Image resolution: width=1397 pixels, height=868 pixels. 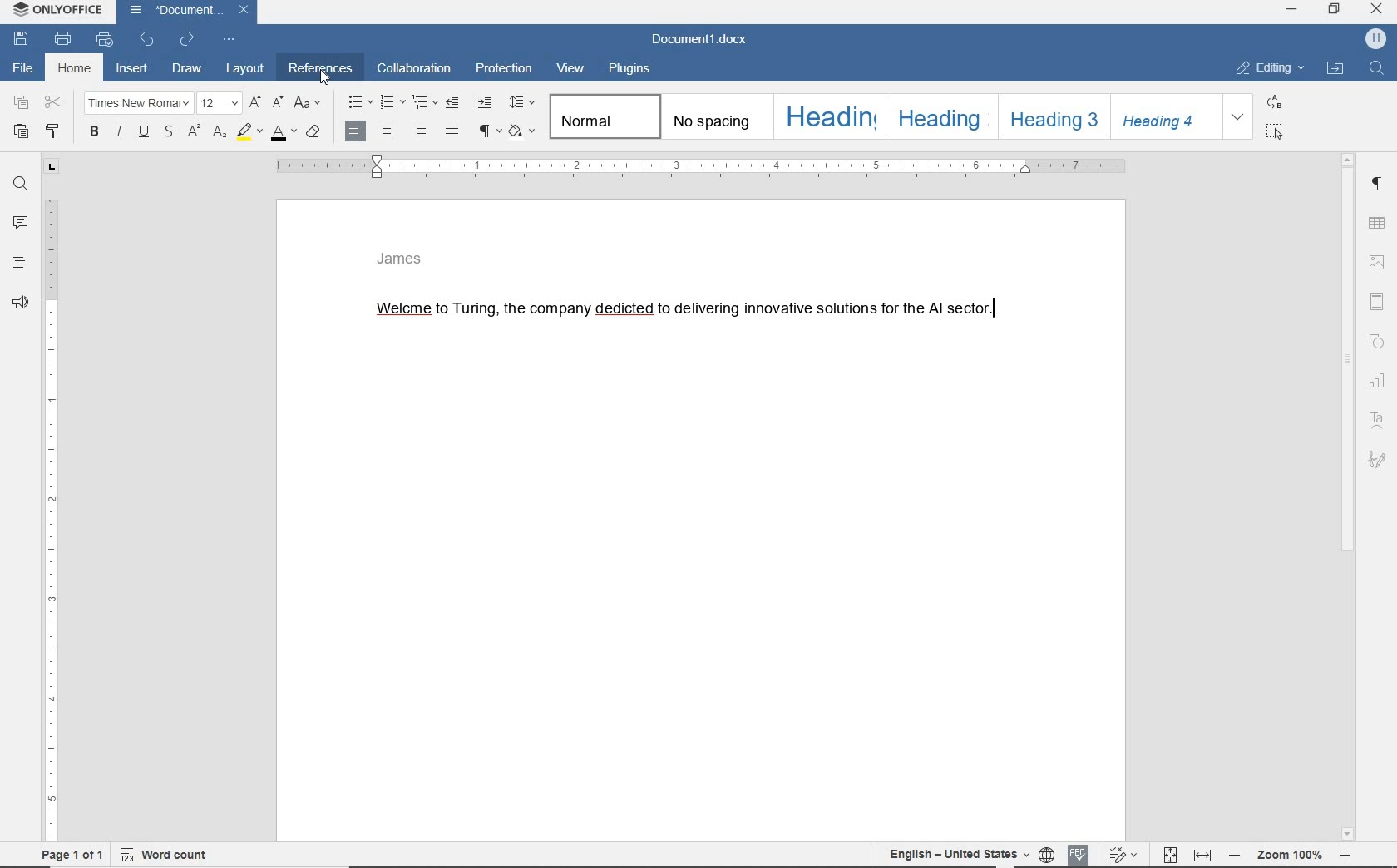 What do you see at coordinates (220, 133) in the screenshot?
I see `subscript` at bounding box center [220, 133].